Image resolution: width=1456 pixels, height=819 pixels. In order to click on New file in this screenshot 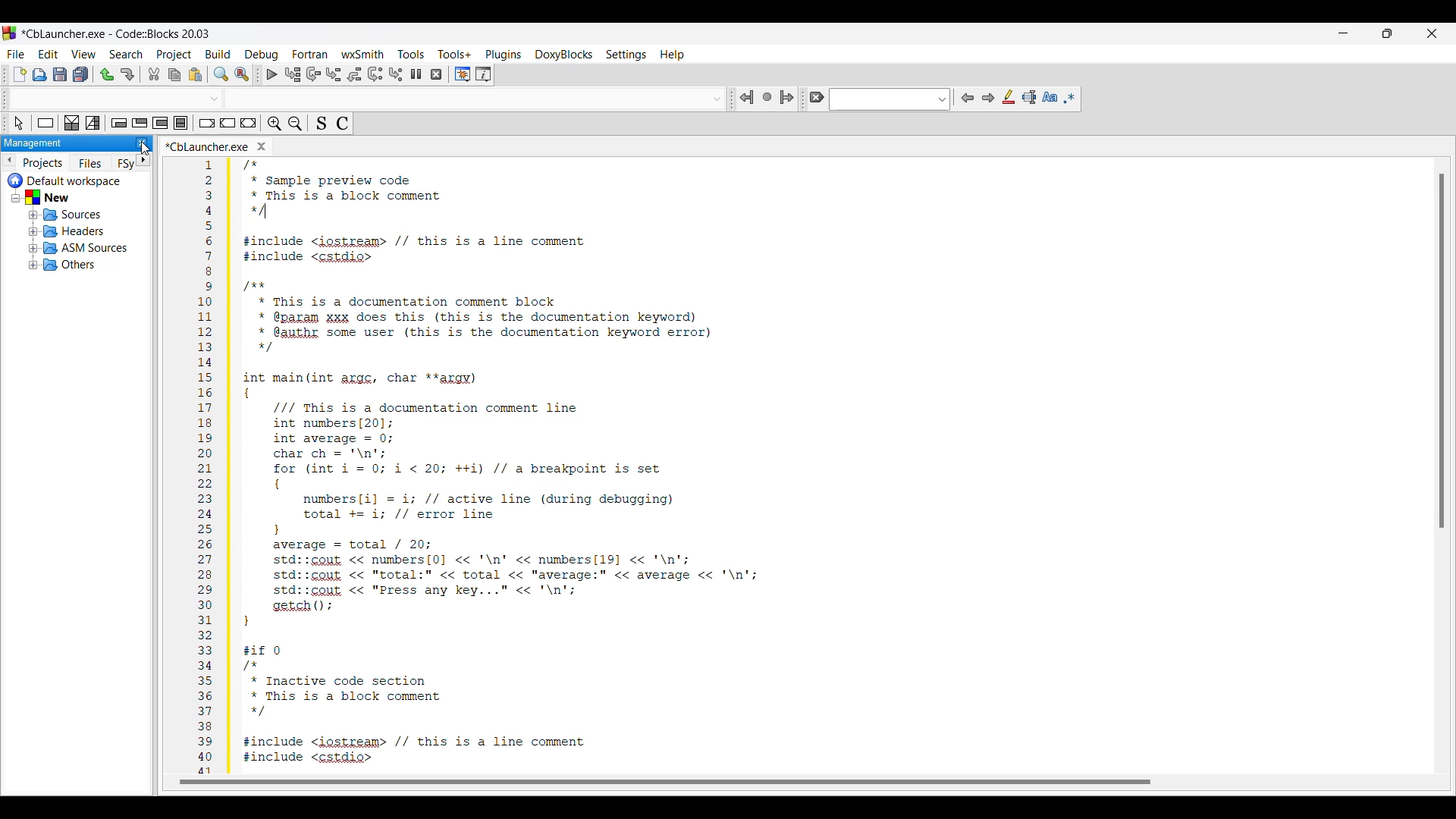, I will do `click(20, 74)`.